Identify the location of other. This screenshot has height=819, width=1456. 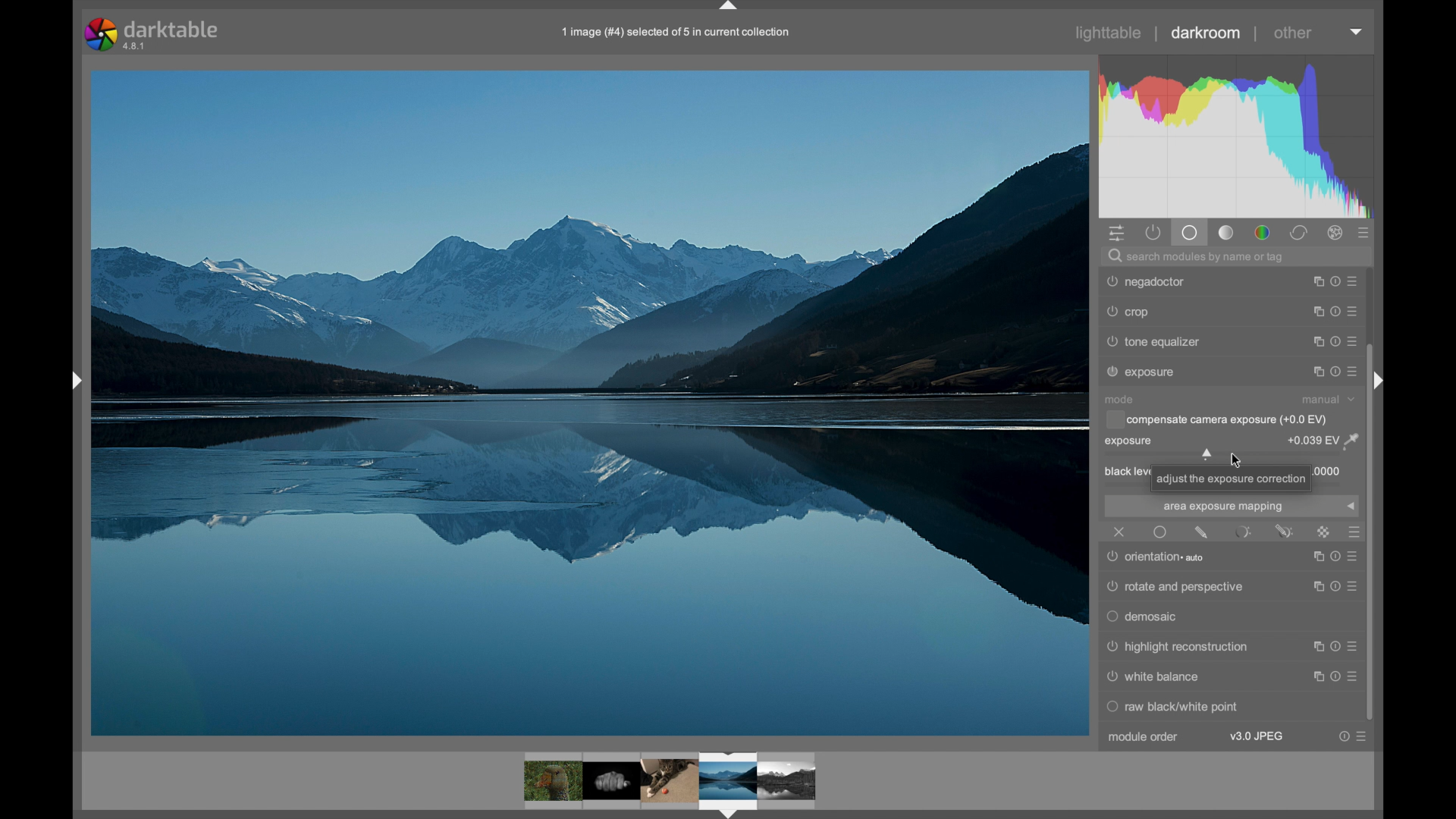
(1294, 33).